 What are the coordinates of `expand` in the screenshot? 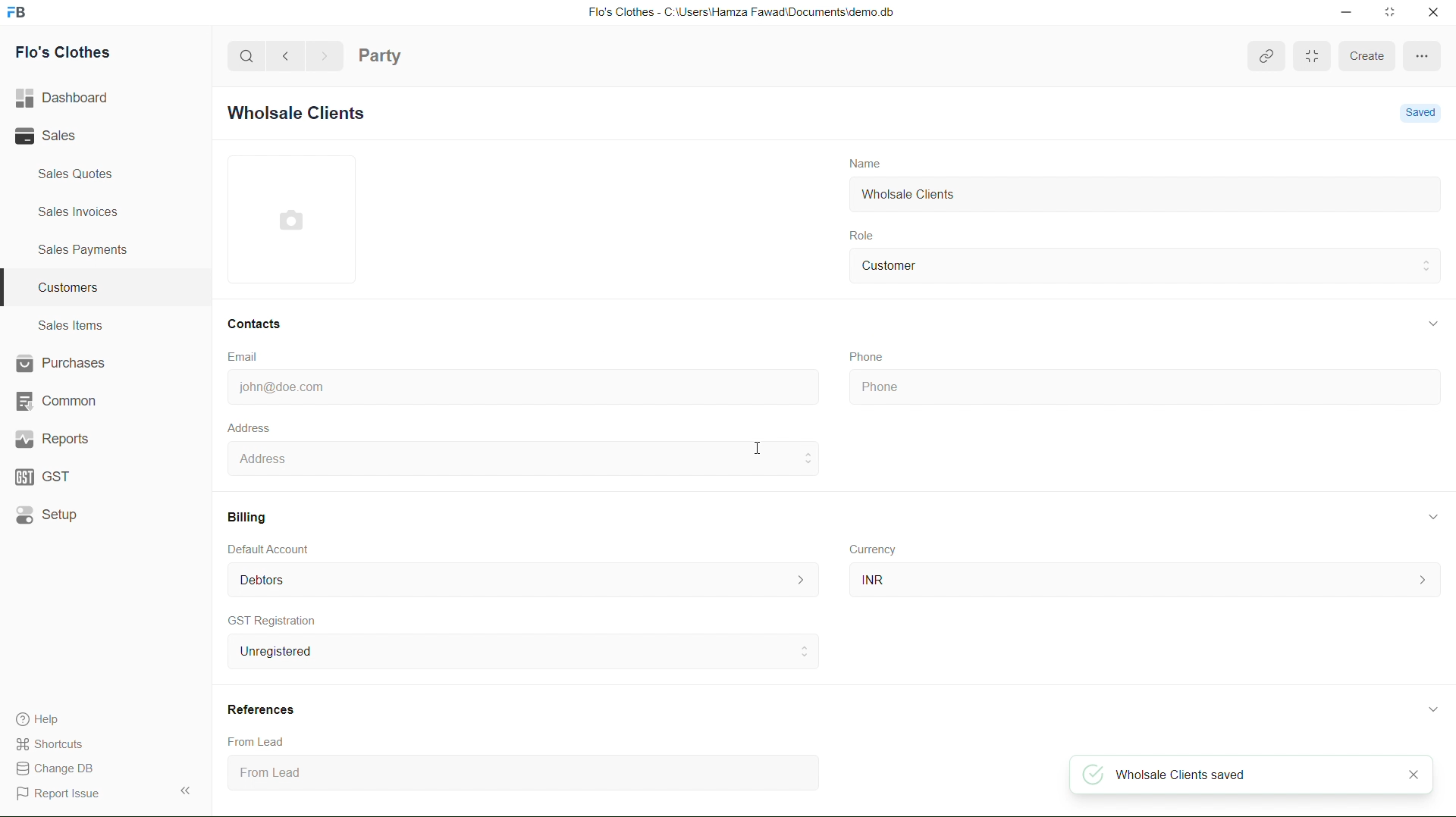 It's located at (1429, 516).